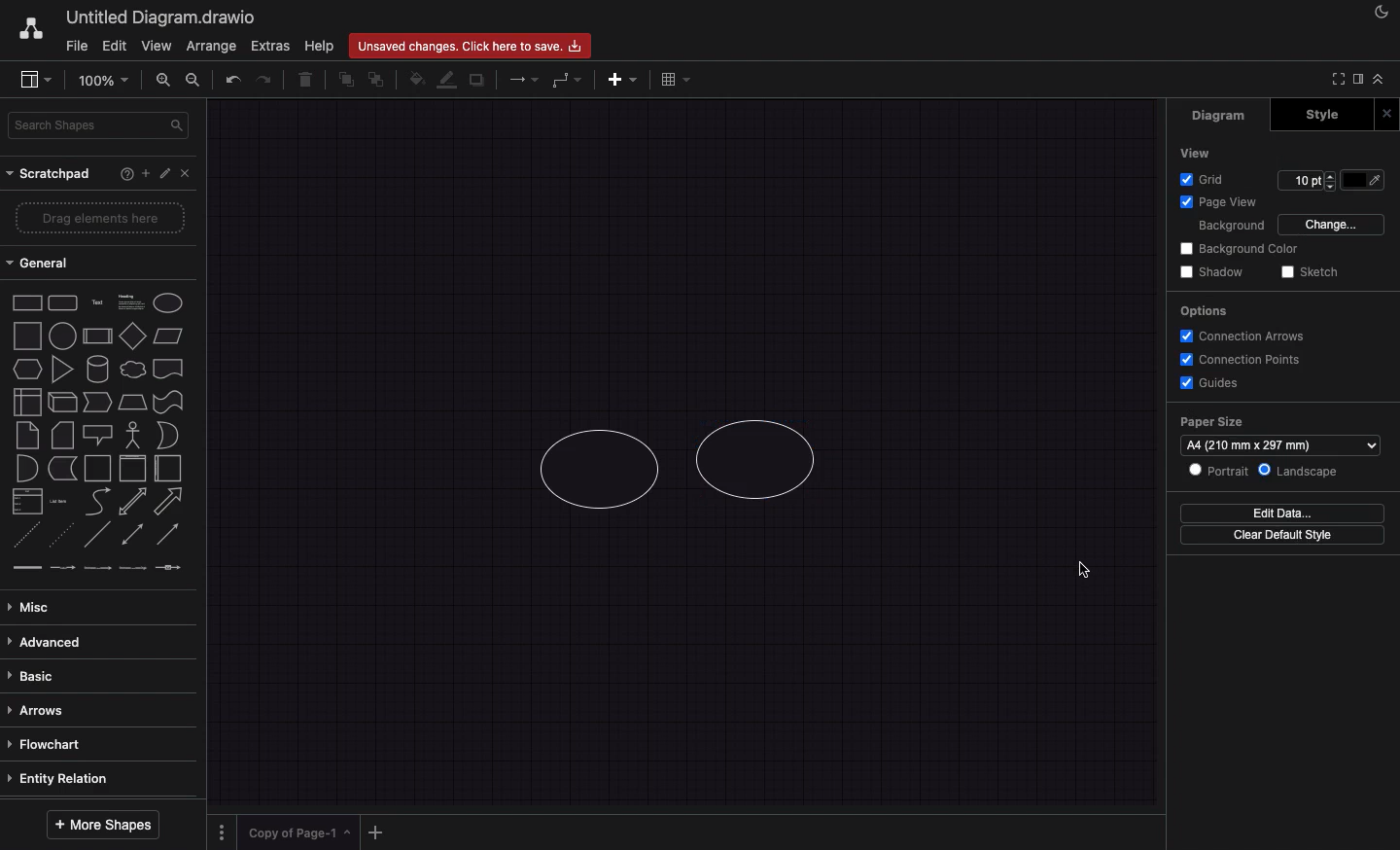  I want to click on circle, so click(63, 336).